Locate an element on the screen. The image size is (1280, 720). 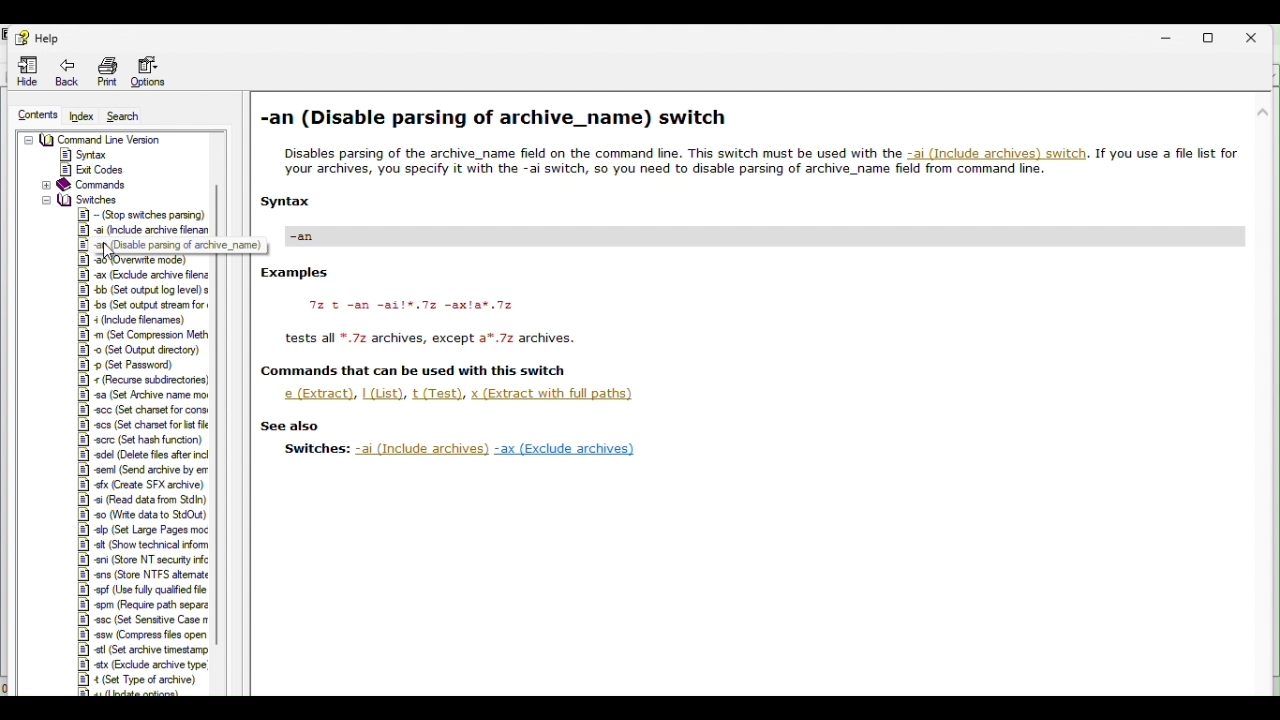
Cursor is located at coordinates (113, 253).